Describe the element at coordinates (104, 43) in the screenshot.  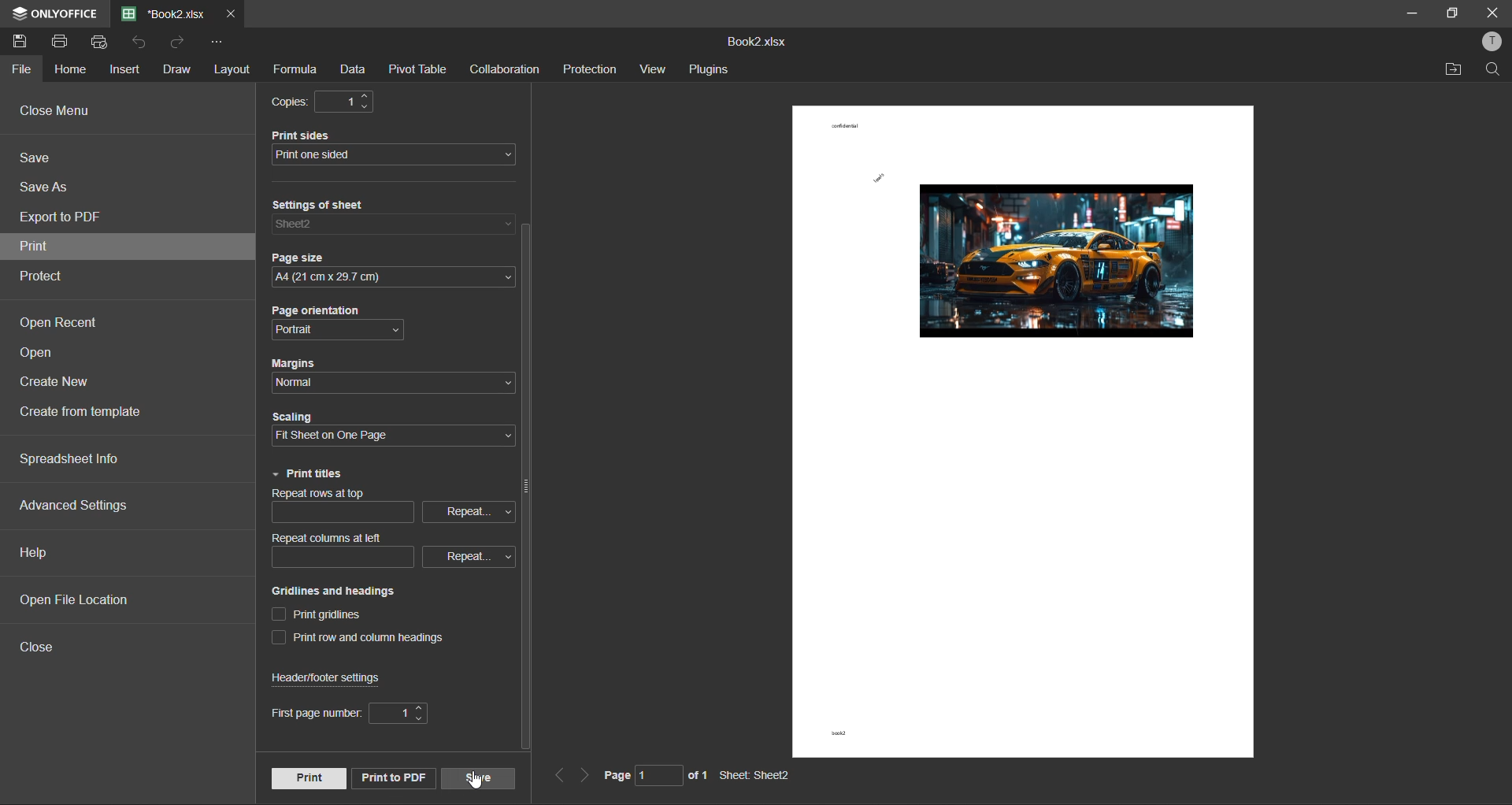
I see `quick print` at that location.